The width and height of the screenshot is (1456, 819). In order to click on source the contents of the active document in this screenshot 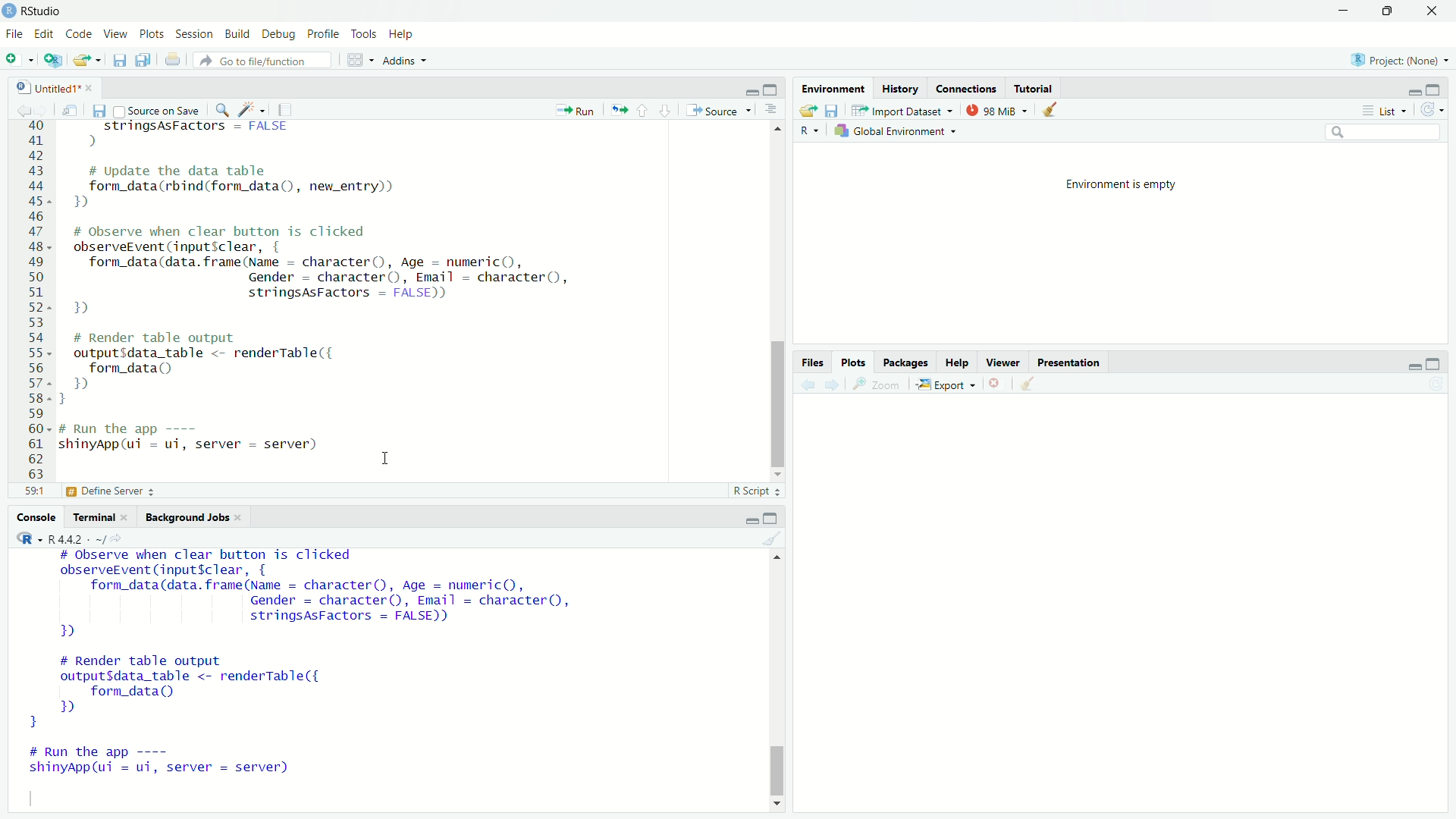, I will do `click(717, 111)`.